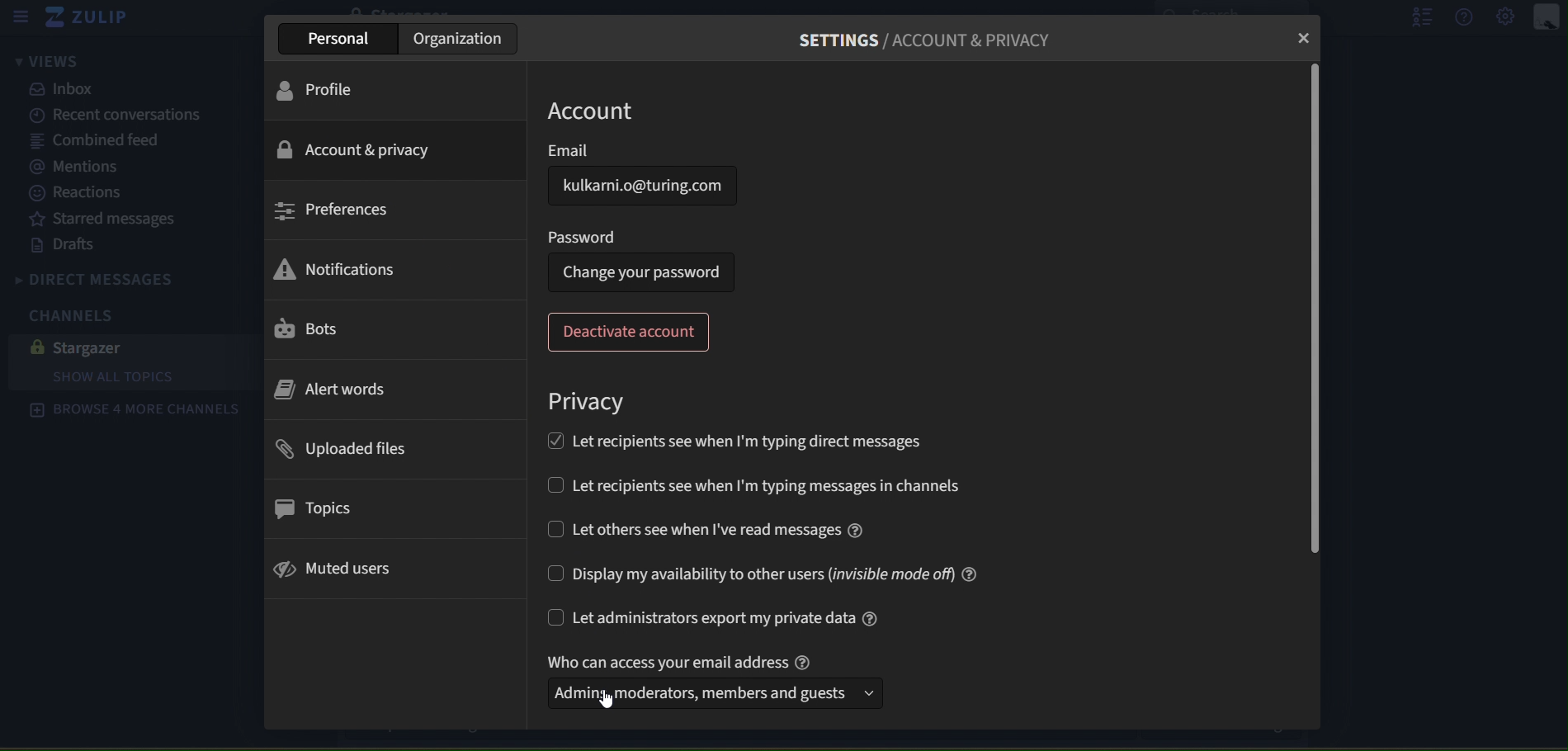  I want to click on settings/account and privacy, so click(933, 42).